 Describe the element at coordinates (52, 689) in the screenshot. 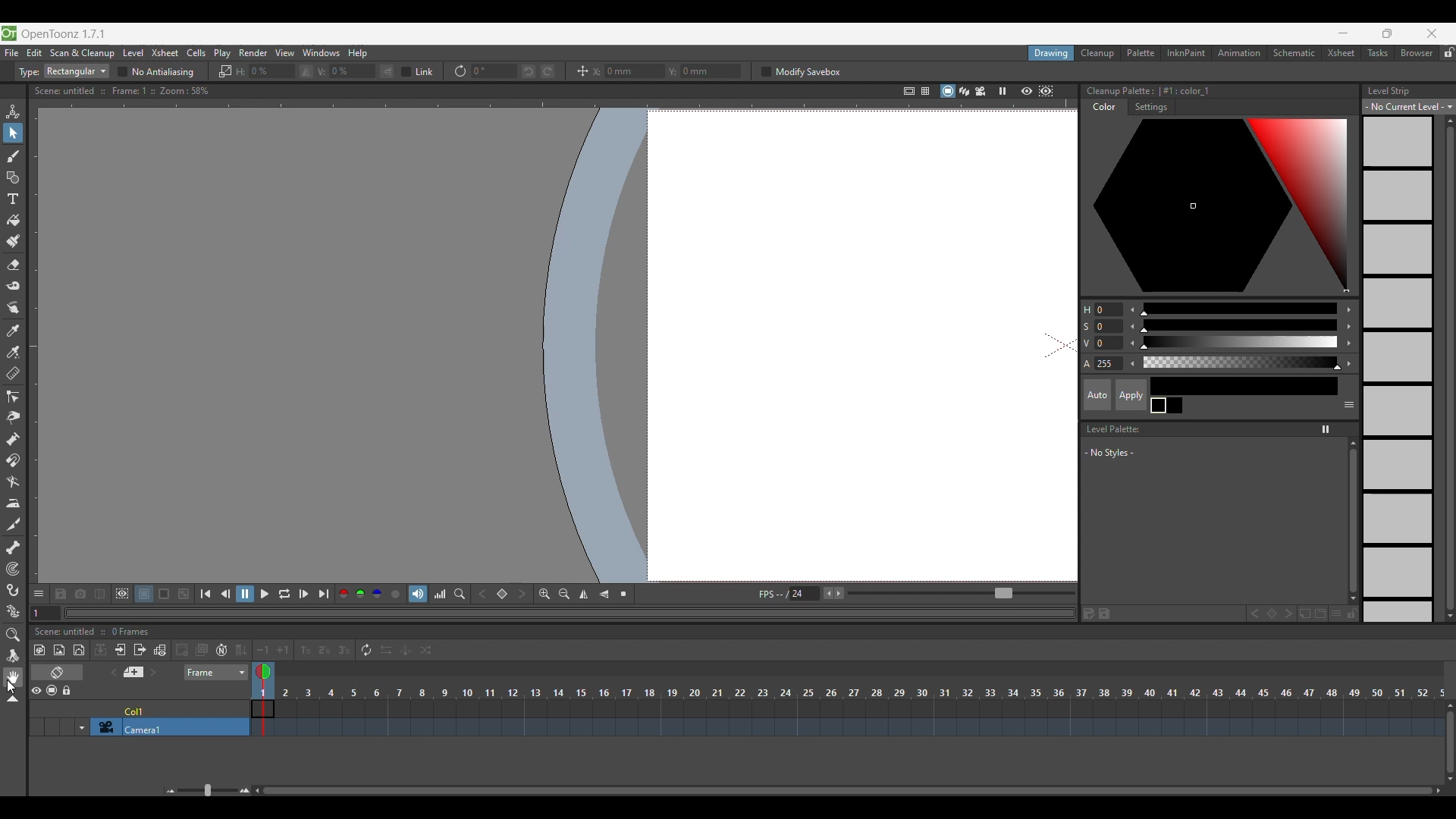

I see `Camera stand visibility toggle all` at that location.